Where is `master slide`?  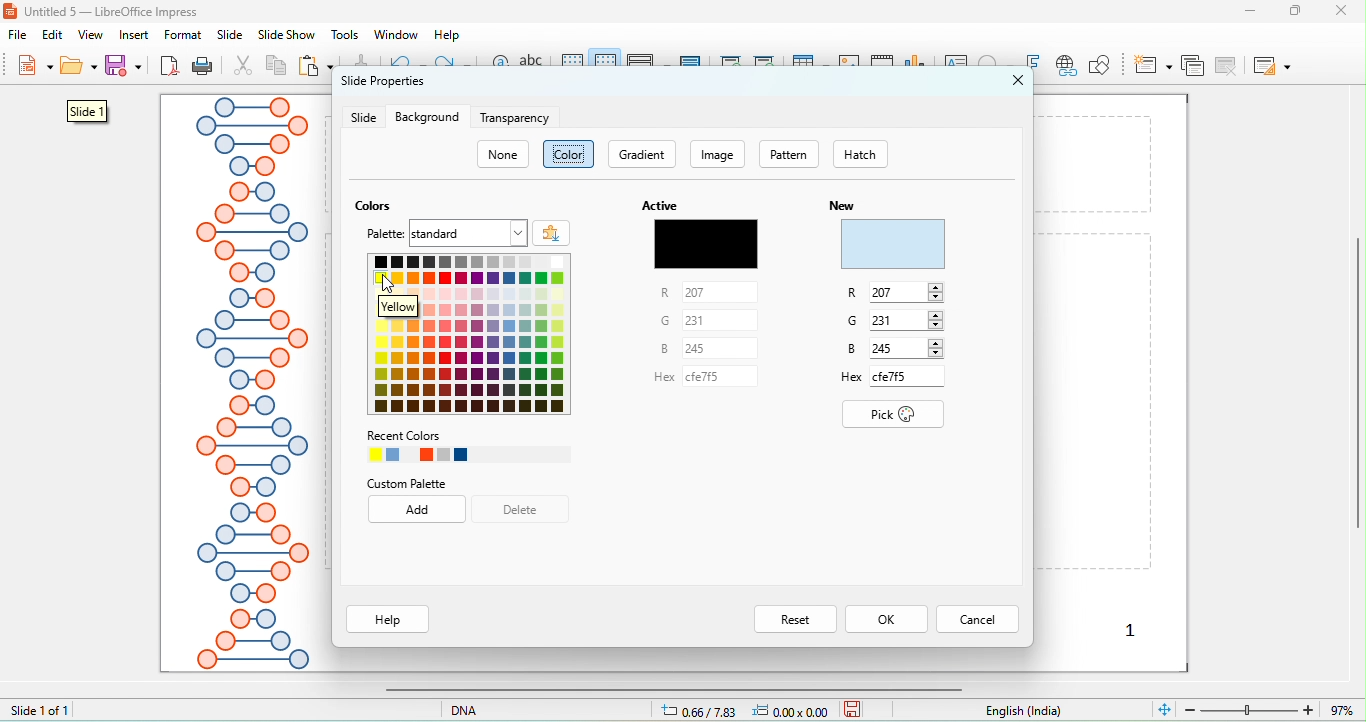
master slide is located at coordinates (692, 63).